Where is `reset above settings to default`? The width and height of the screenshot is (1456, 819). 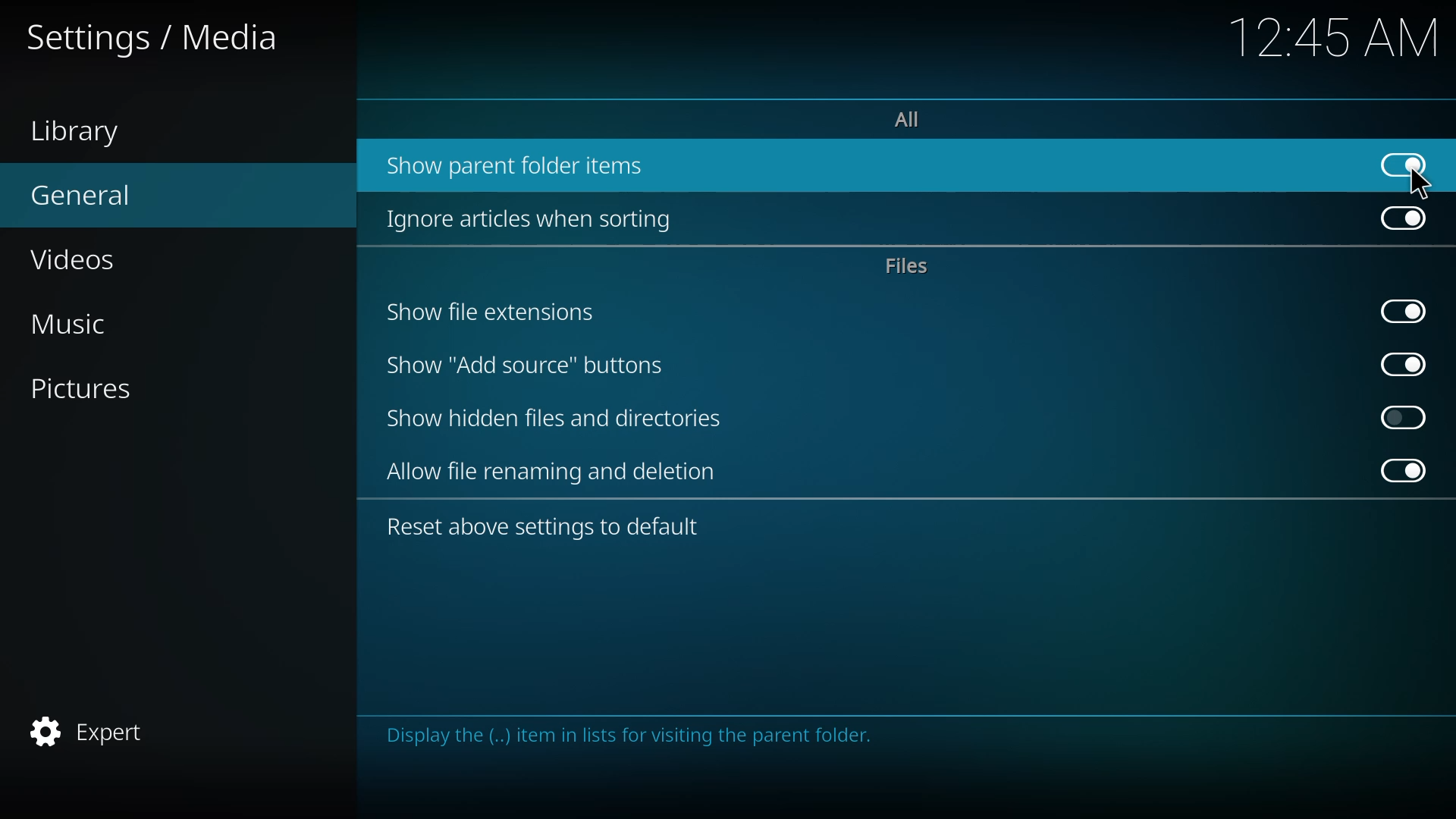
reset above settings to default is located at coordinates (548, 529).